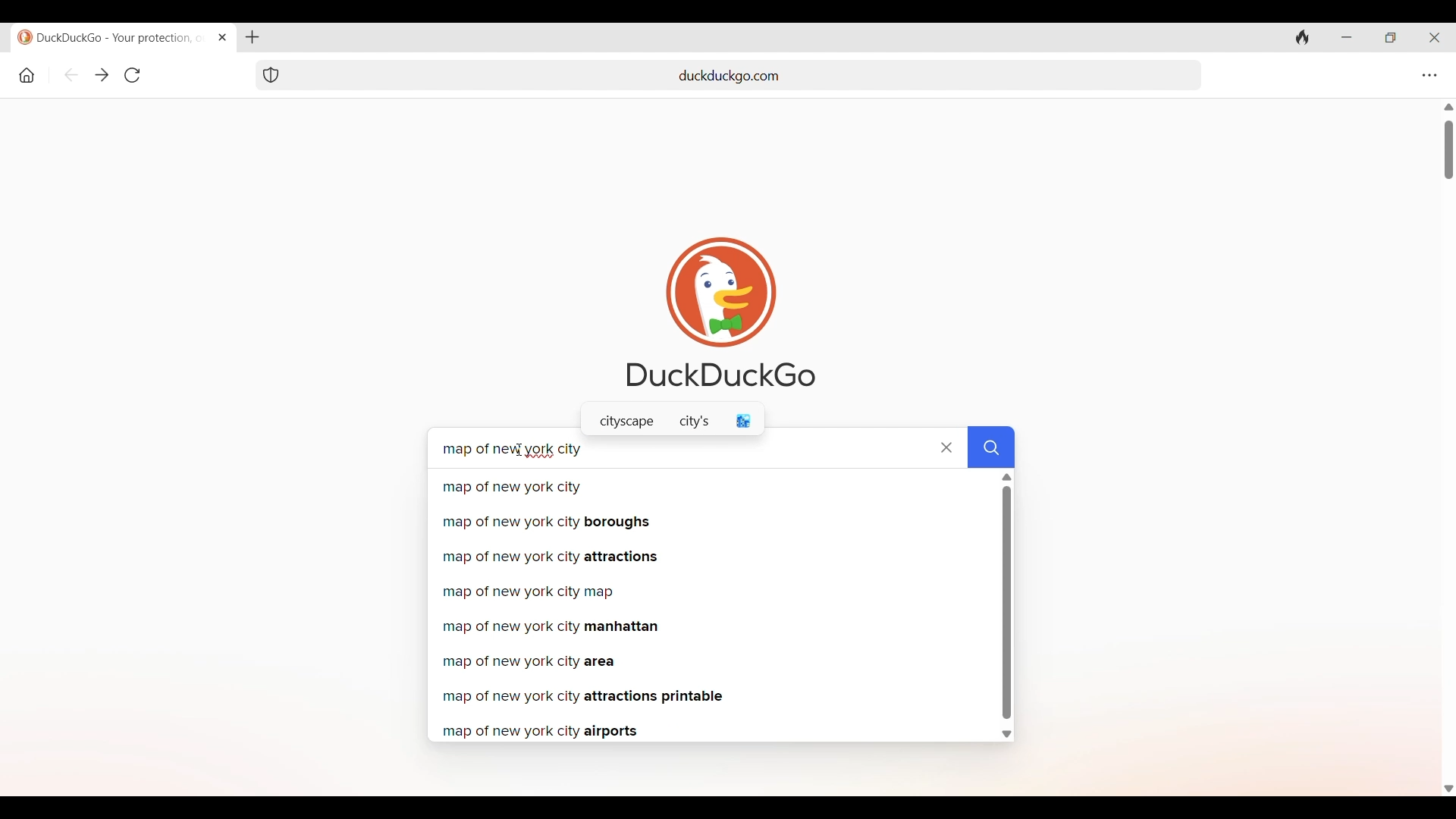 This screenshot has height=819, width=1456. Describe the element at coordinates (1448, 107) in the screenshot. I see `Quick slide to the top` at that location.